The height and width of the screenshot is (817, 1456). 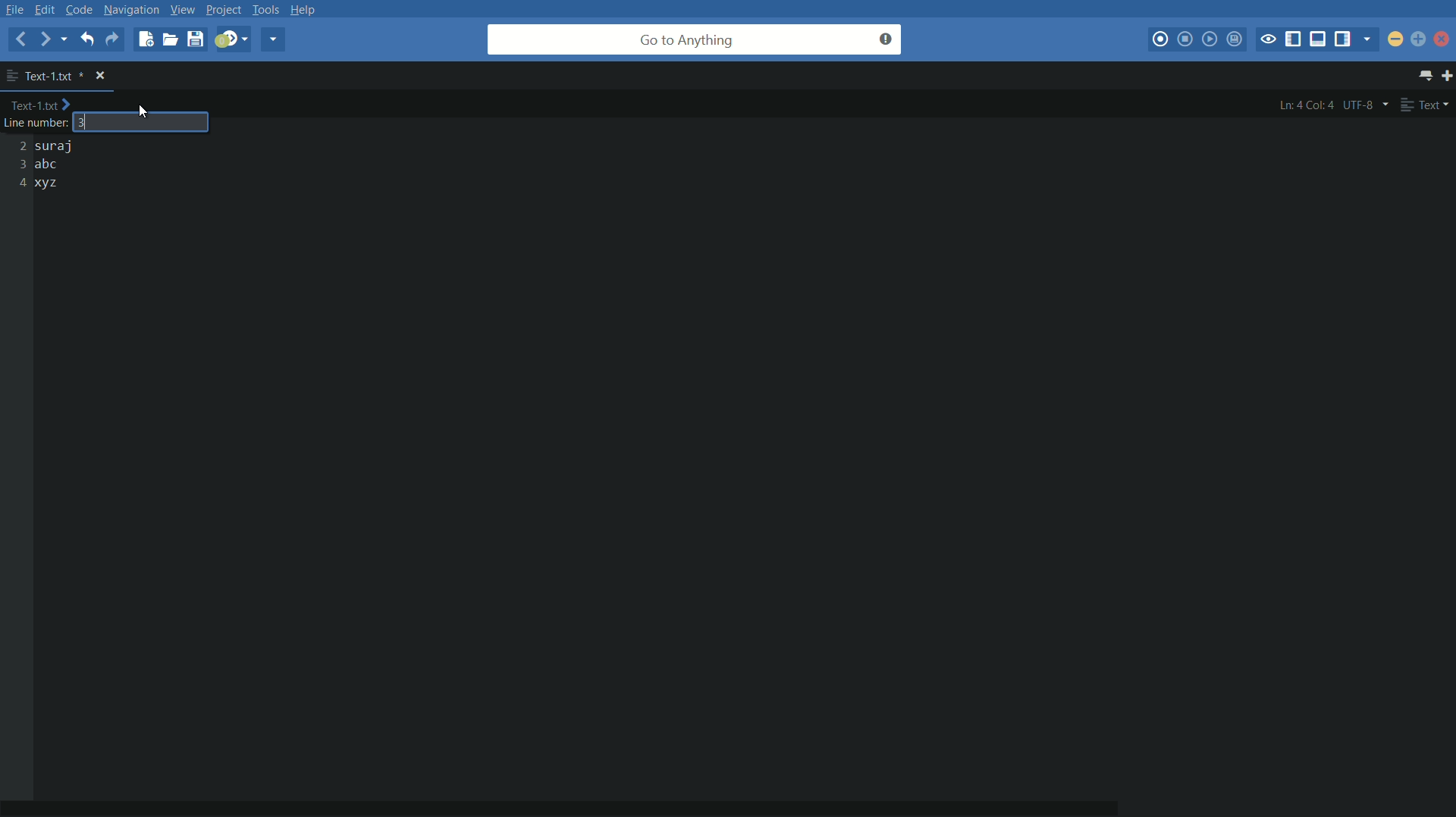 What do you see at coordinates (1370, 39) in the screenshot?
I see `show specific sidebar/tab` at bounding box center [1370, 39].